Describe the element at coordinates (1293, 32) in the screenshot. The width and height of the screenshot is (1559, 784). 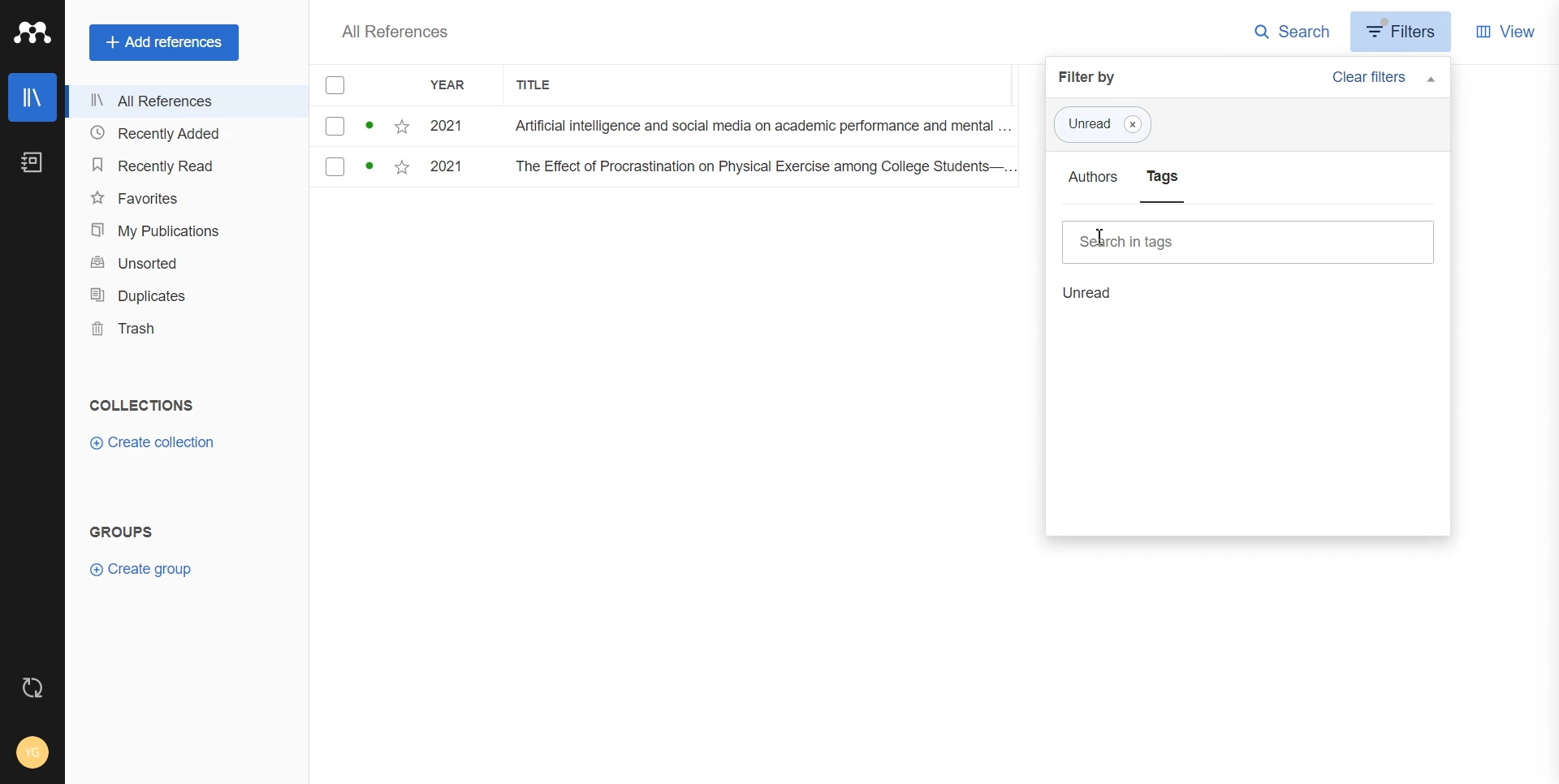
I see `Search` at that location.